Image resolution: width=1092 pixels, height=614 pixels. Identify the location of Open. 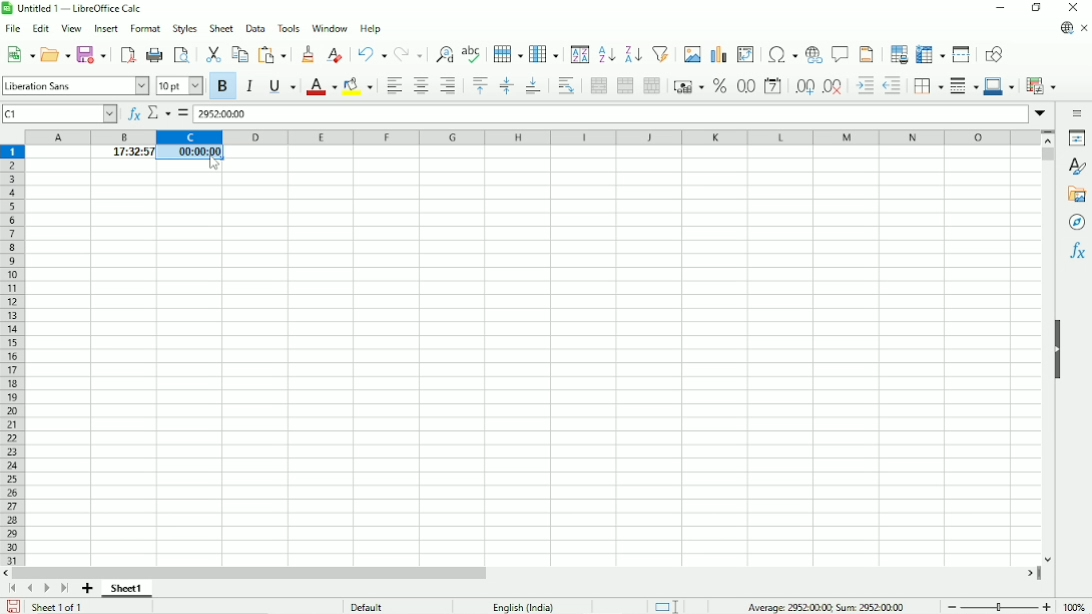
(55, 54).